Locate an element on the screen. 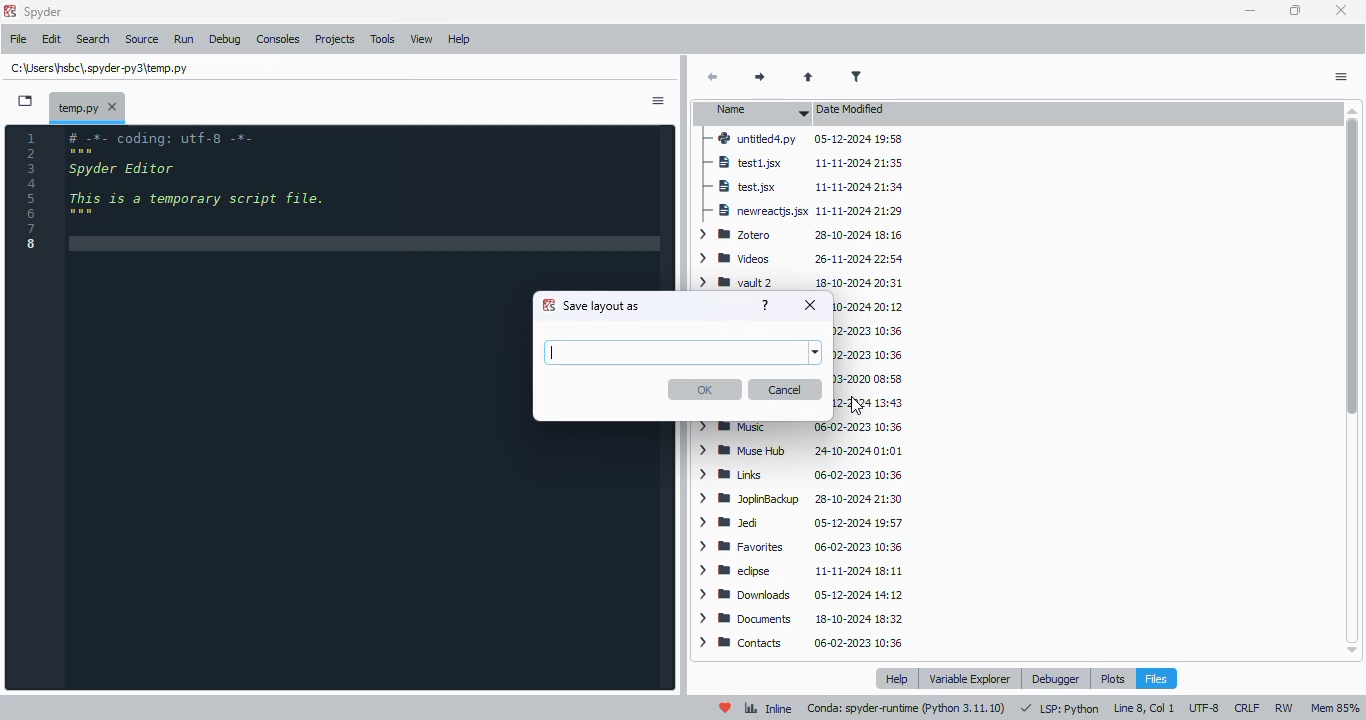 The width and height of the screenshot is (1366, 720). typing is located at coordinates (552, 353).